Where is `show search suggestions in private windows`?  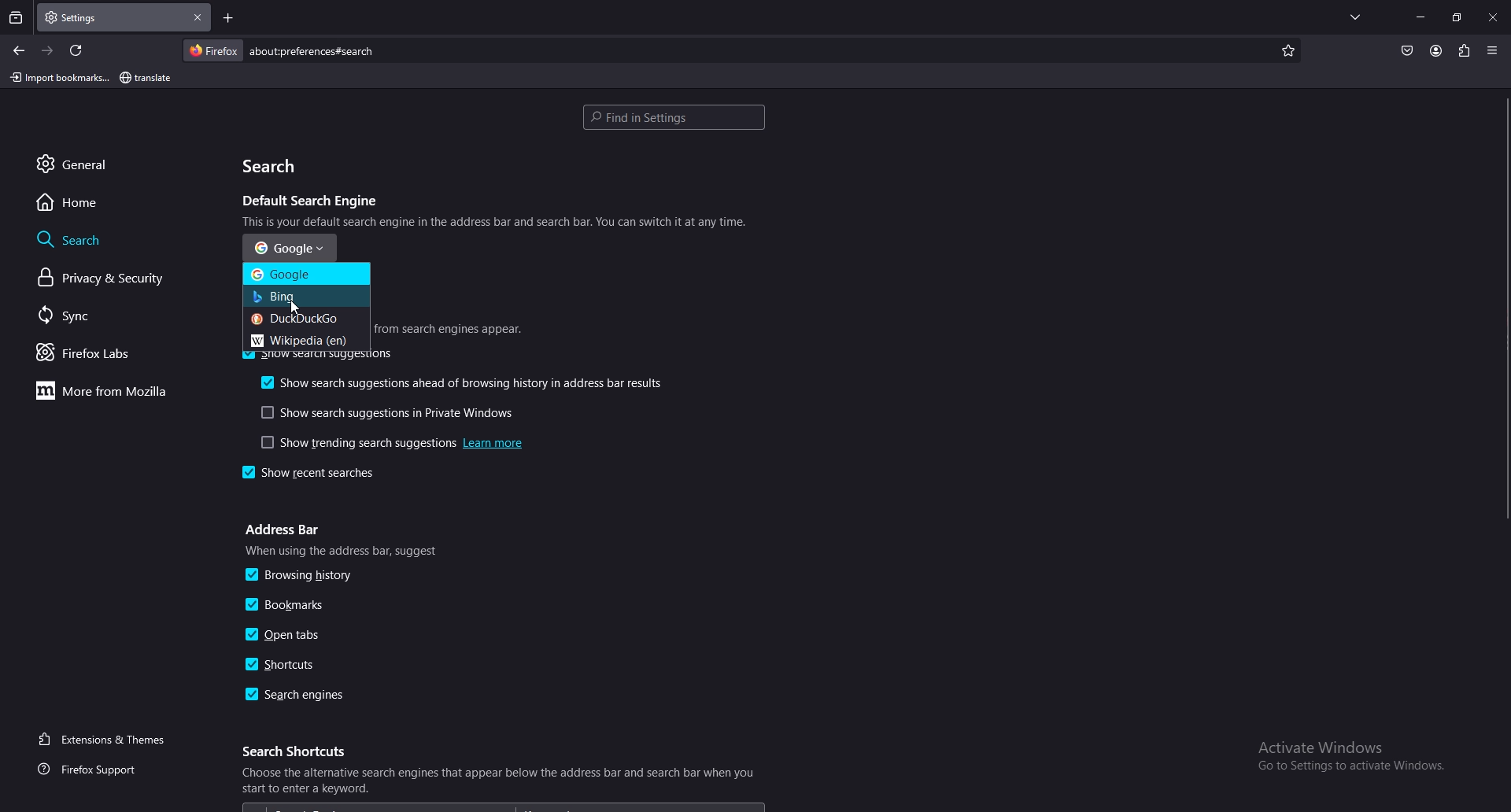 show search suggestions in private windows is located at coordinates (388, 412).